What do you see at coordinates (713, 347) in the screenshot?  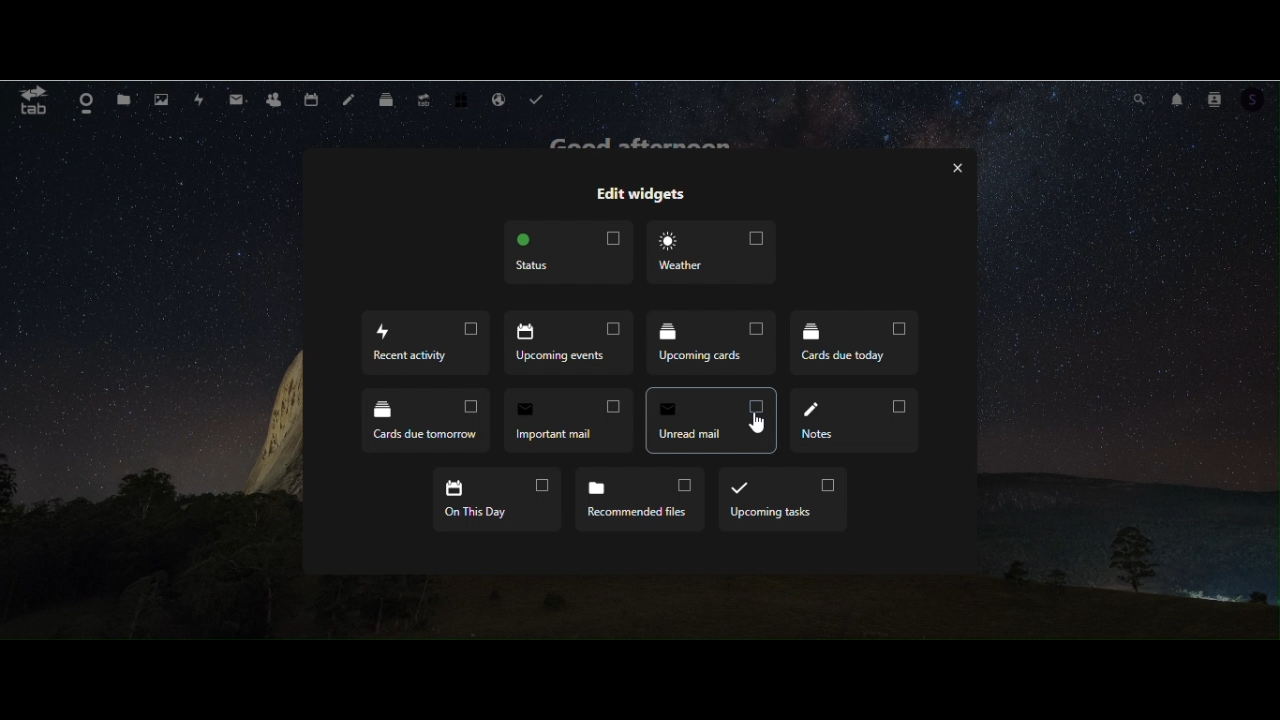 I see `Upcoming cards` at bounding box center [713, 347].